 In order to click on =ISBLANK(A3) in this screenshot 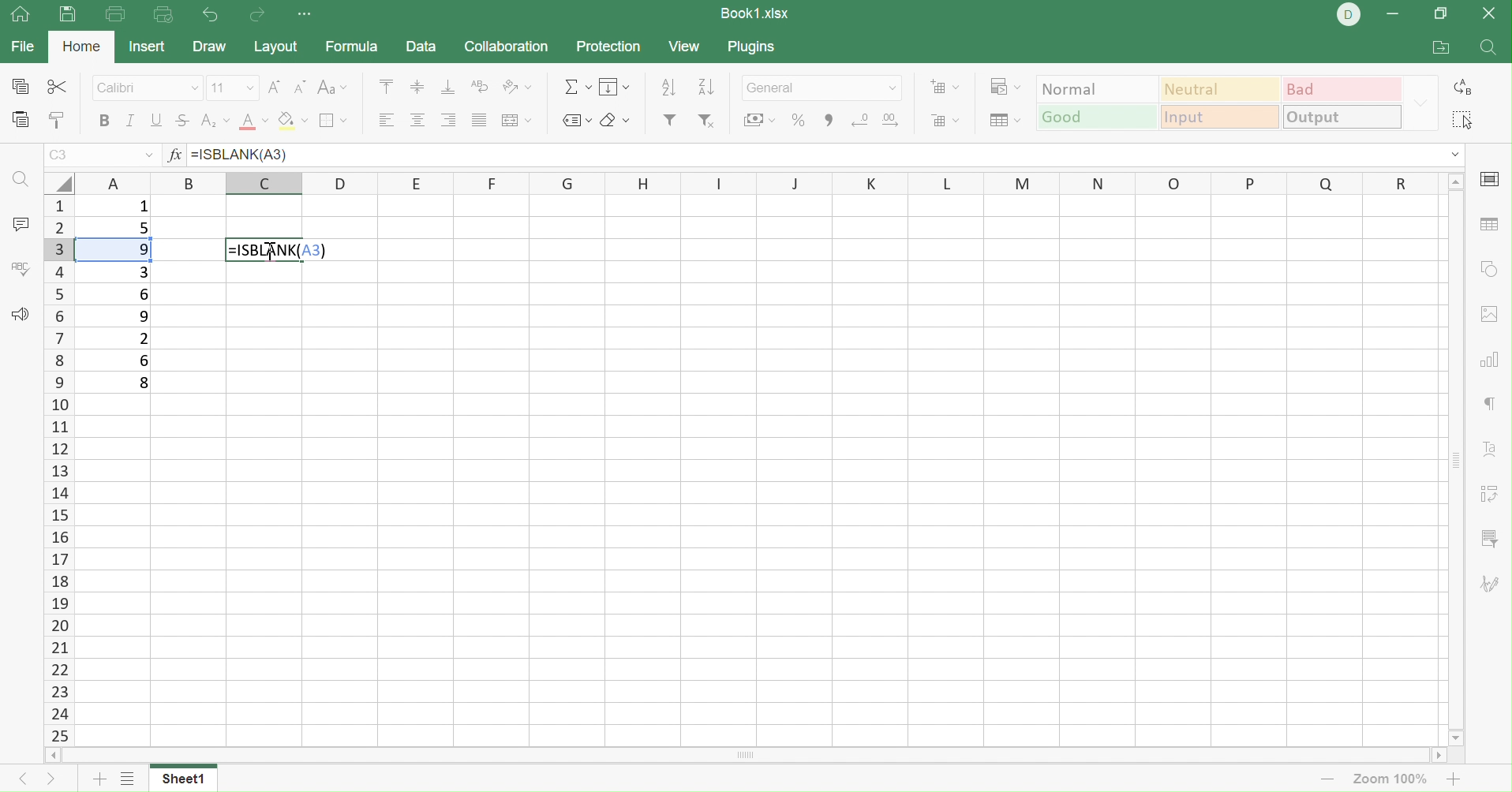, I will do `click(276, 249)`.